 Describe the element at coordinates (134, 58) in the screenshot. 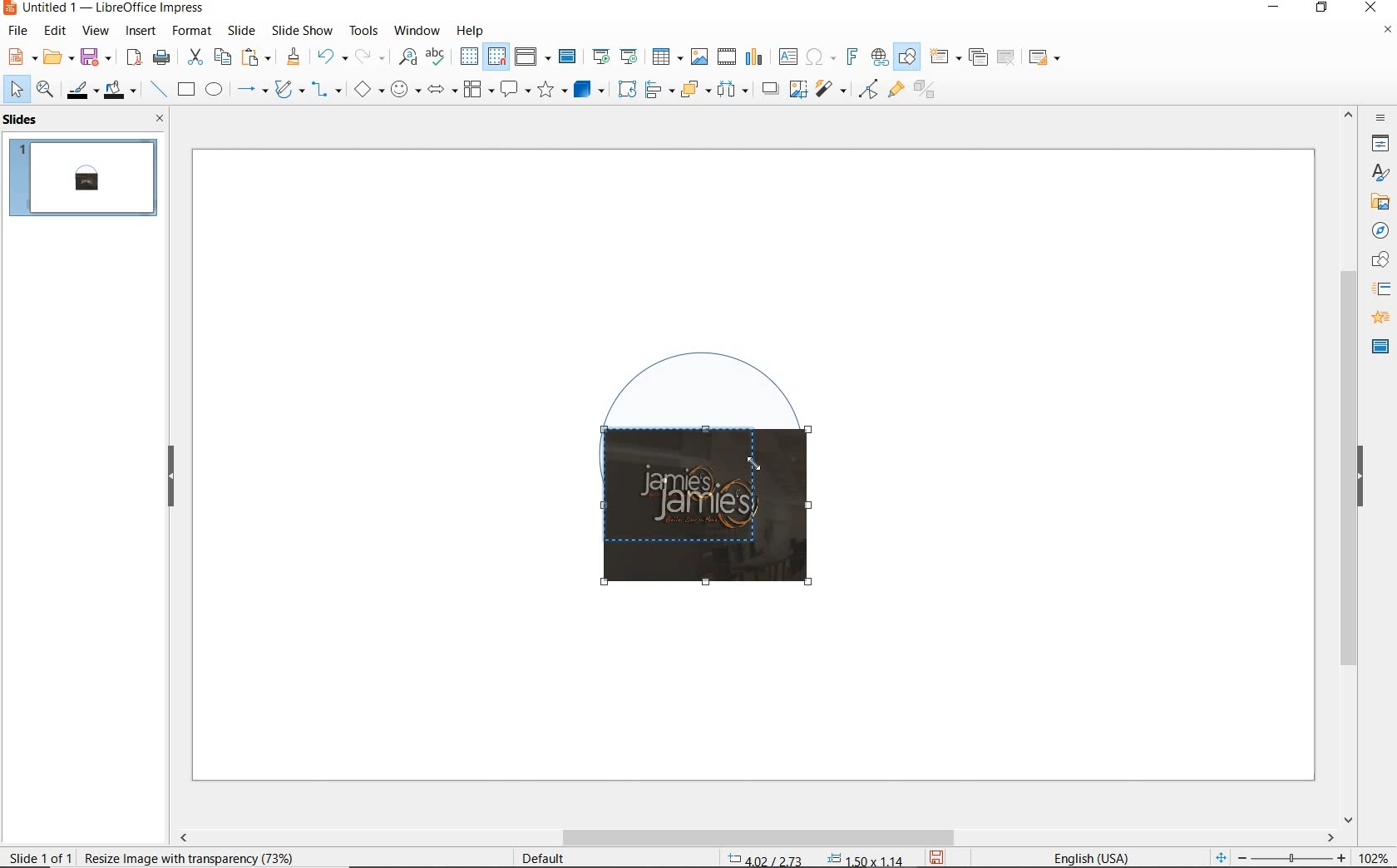

I see `export as PDF` at that location.